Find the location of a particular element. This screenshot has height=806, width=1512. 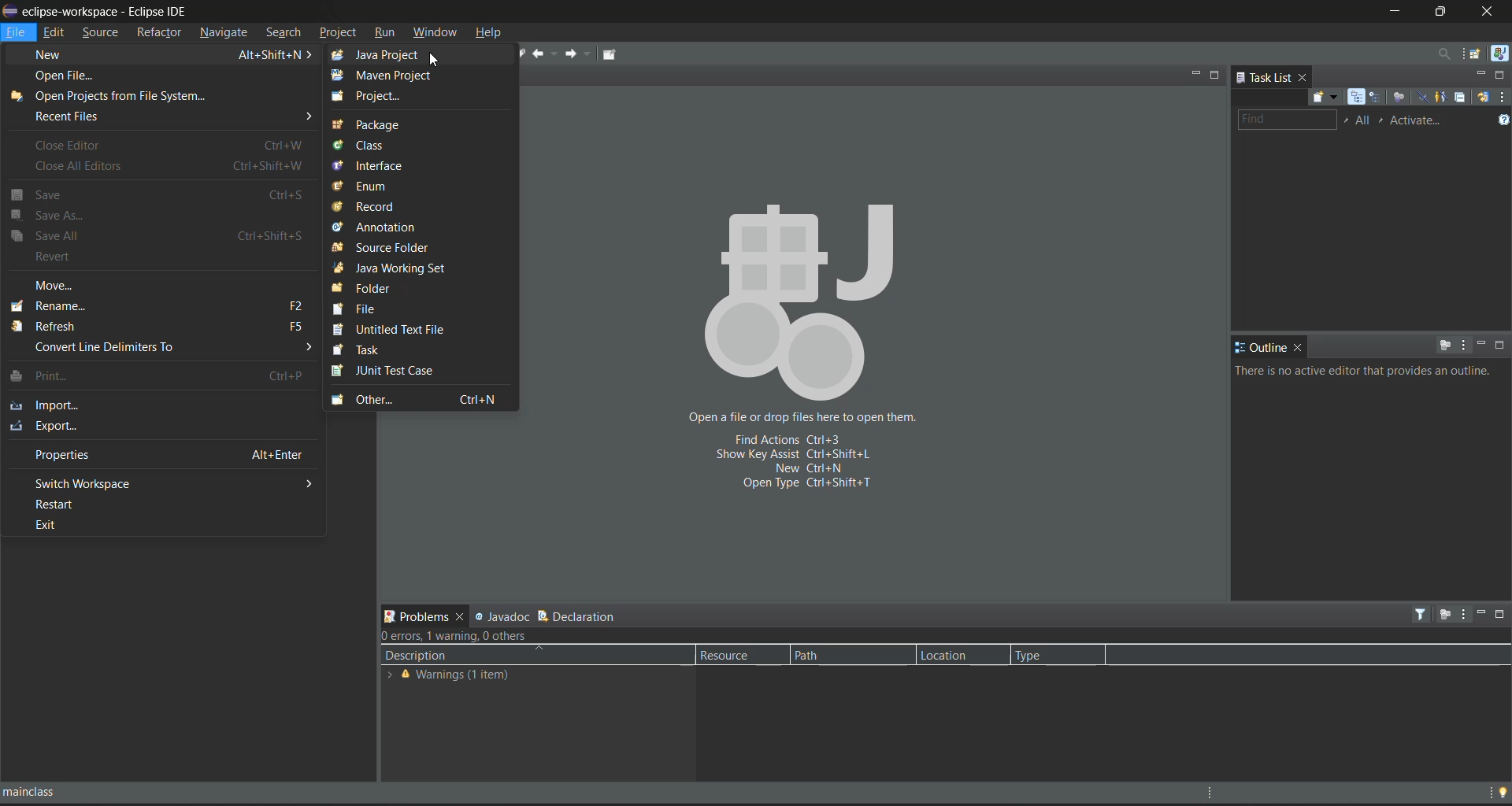

restart is located at coordinates (127, 505).